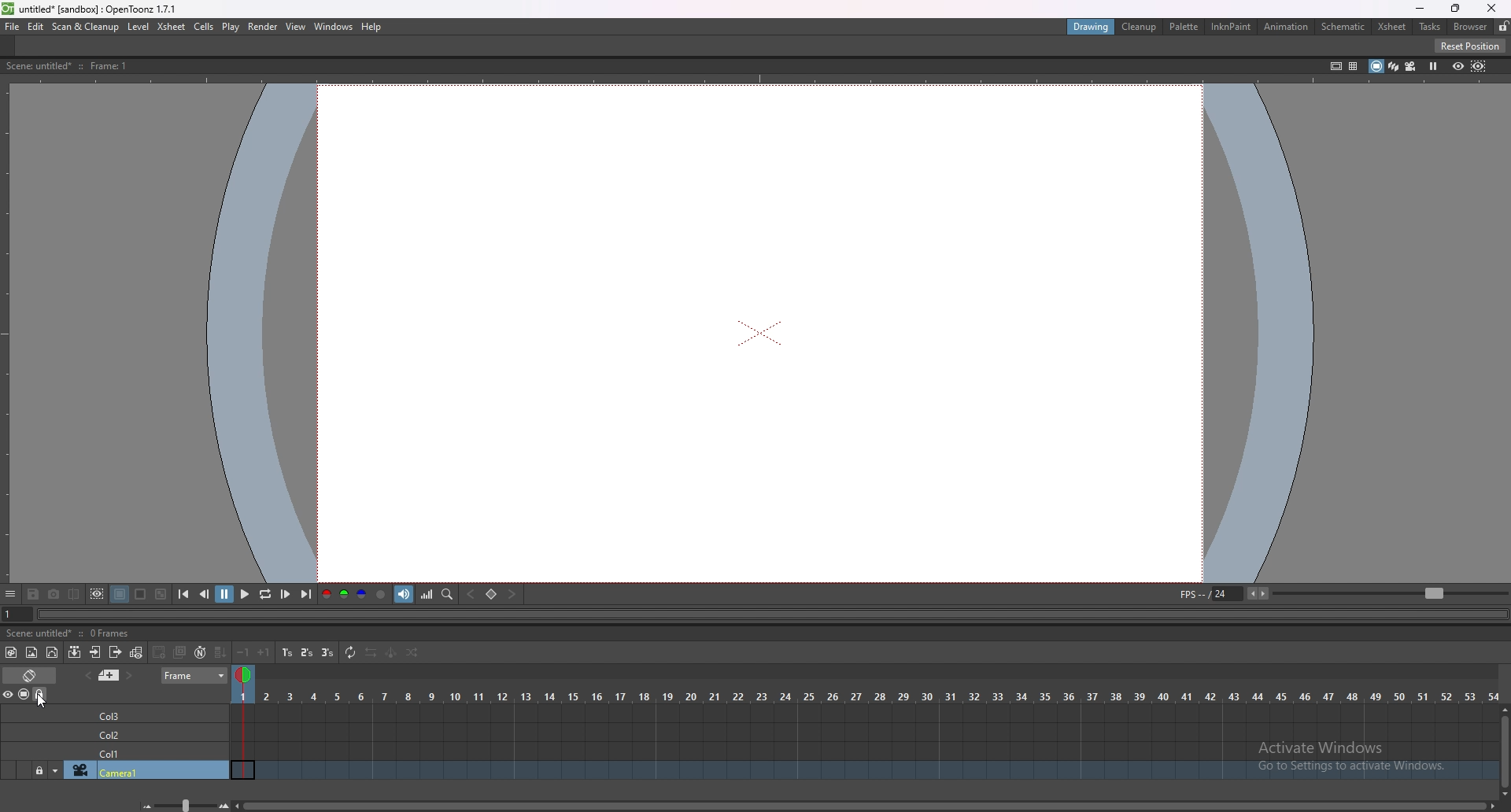 This screenshot has height=812, width=1511. What do you see at coordinates (139, 27) in the screenshot?
I see `level` at bounding box center [139, 27].